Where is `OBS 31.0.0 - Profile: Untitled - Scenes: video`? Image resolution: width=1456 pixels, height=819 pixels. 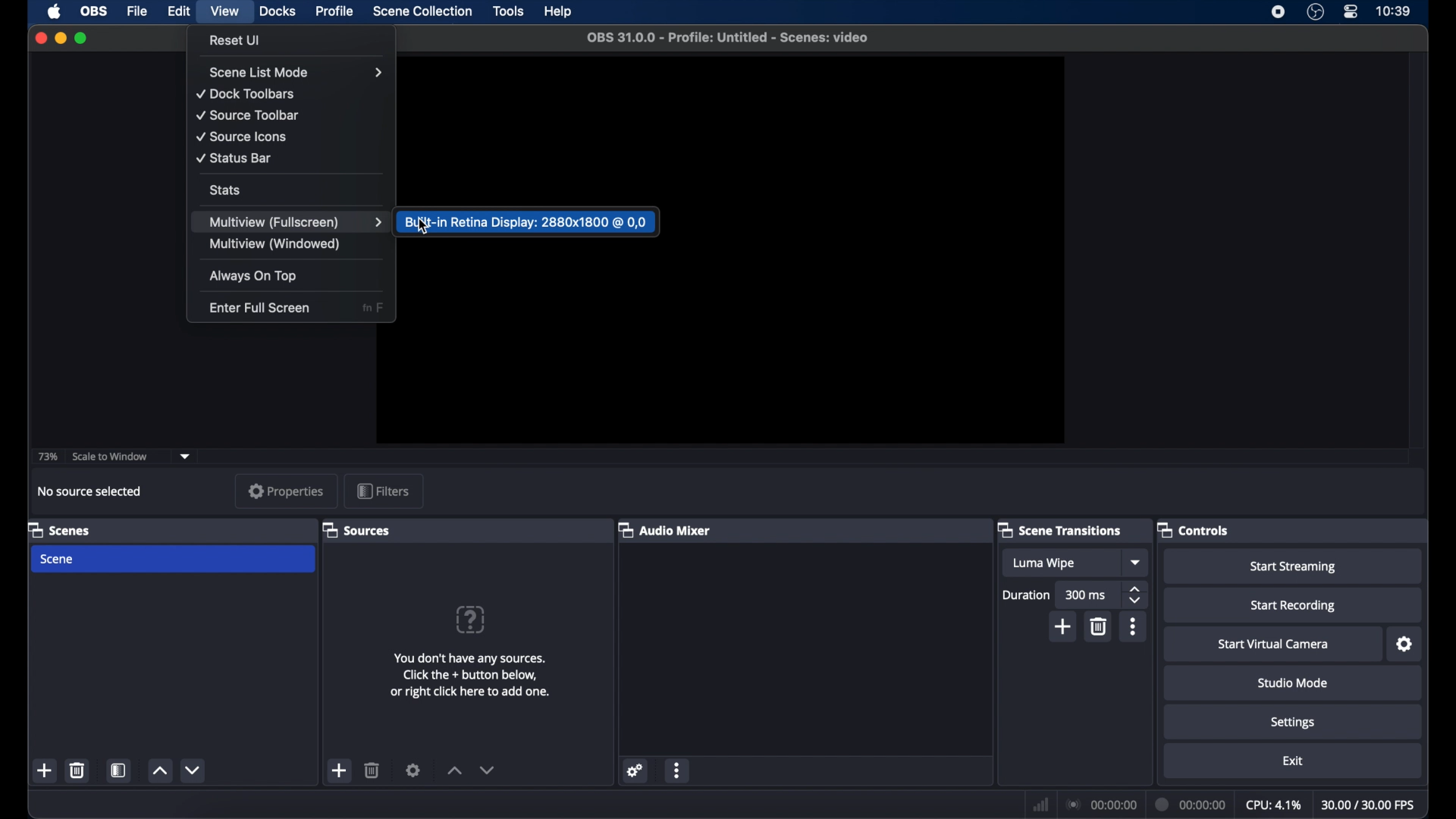
OBS 31.0.0 - Profile: Untitled - Scenes: video is located at coordinates (731, 37).